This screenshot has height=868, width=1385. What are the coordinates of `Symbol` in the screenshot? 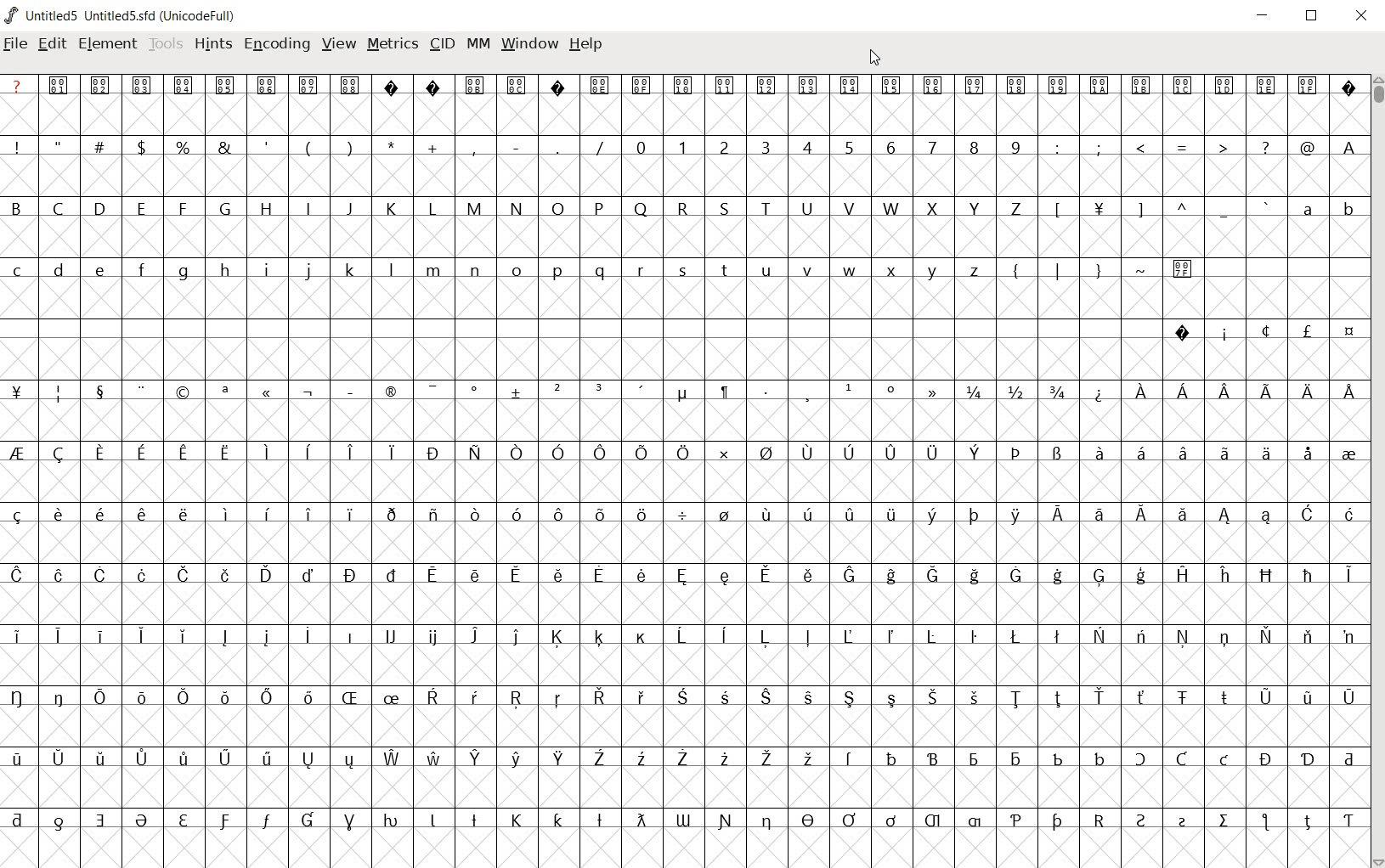 It's located at (973, 515).